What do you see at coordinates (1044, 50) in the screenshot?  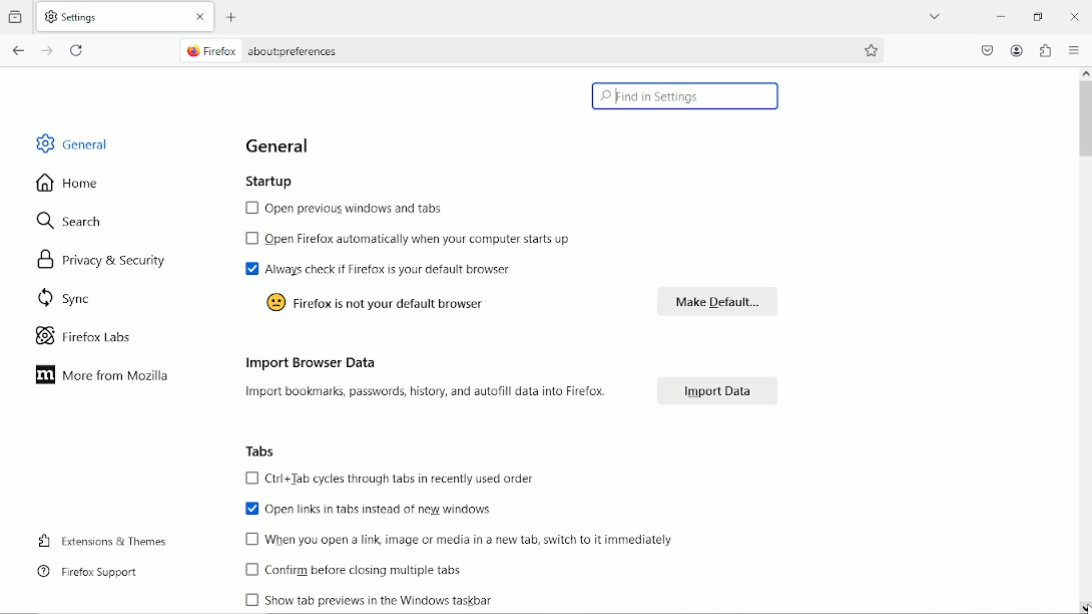 I see `extensions` at bounding box center [1044, 50].